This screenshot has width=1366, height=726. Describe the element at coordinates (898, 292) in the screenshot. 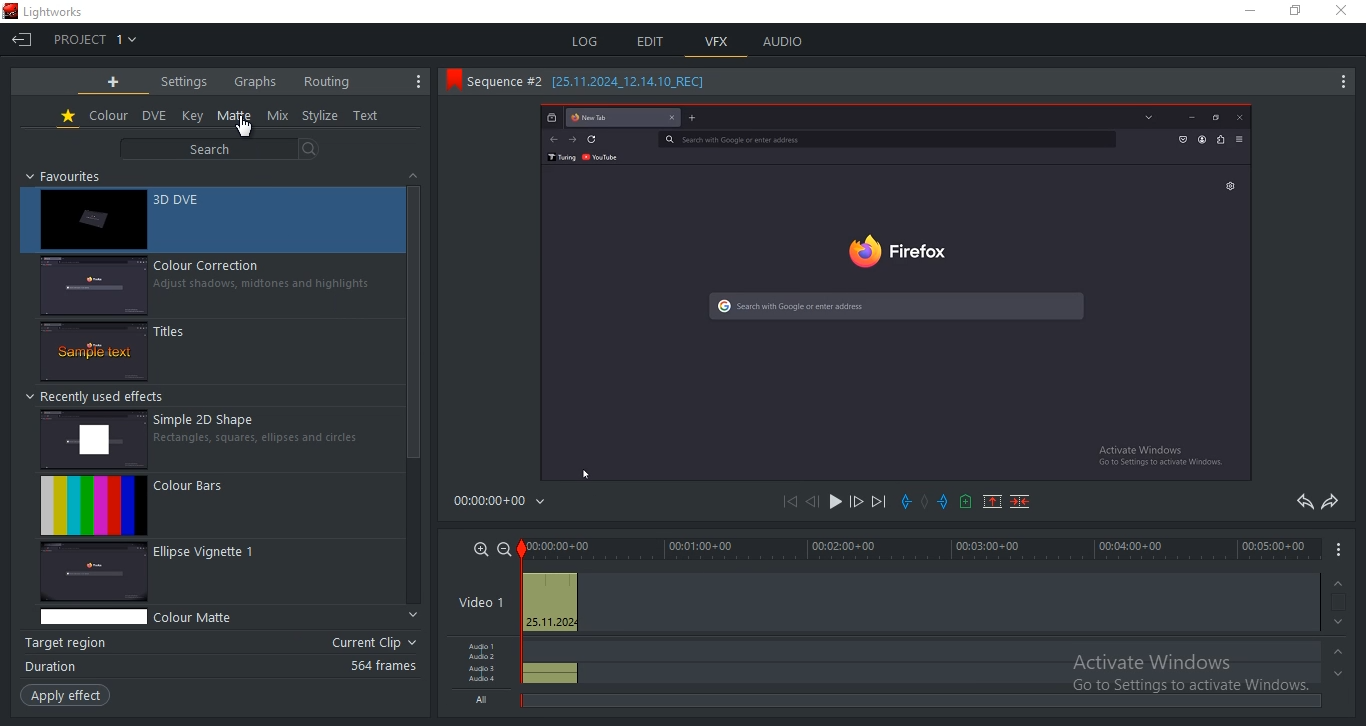

I see `sequence` at that location.